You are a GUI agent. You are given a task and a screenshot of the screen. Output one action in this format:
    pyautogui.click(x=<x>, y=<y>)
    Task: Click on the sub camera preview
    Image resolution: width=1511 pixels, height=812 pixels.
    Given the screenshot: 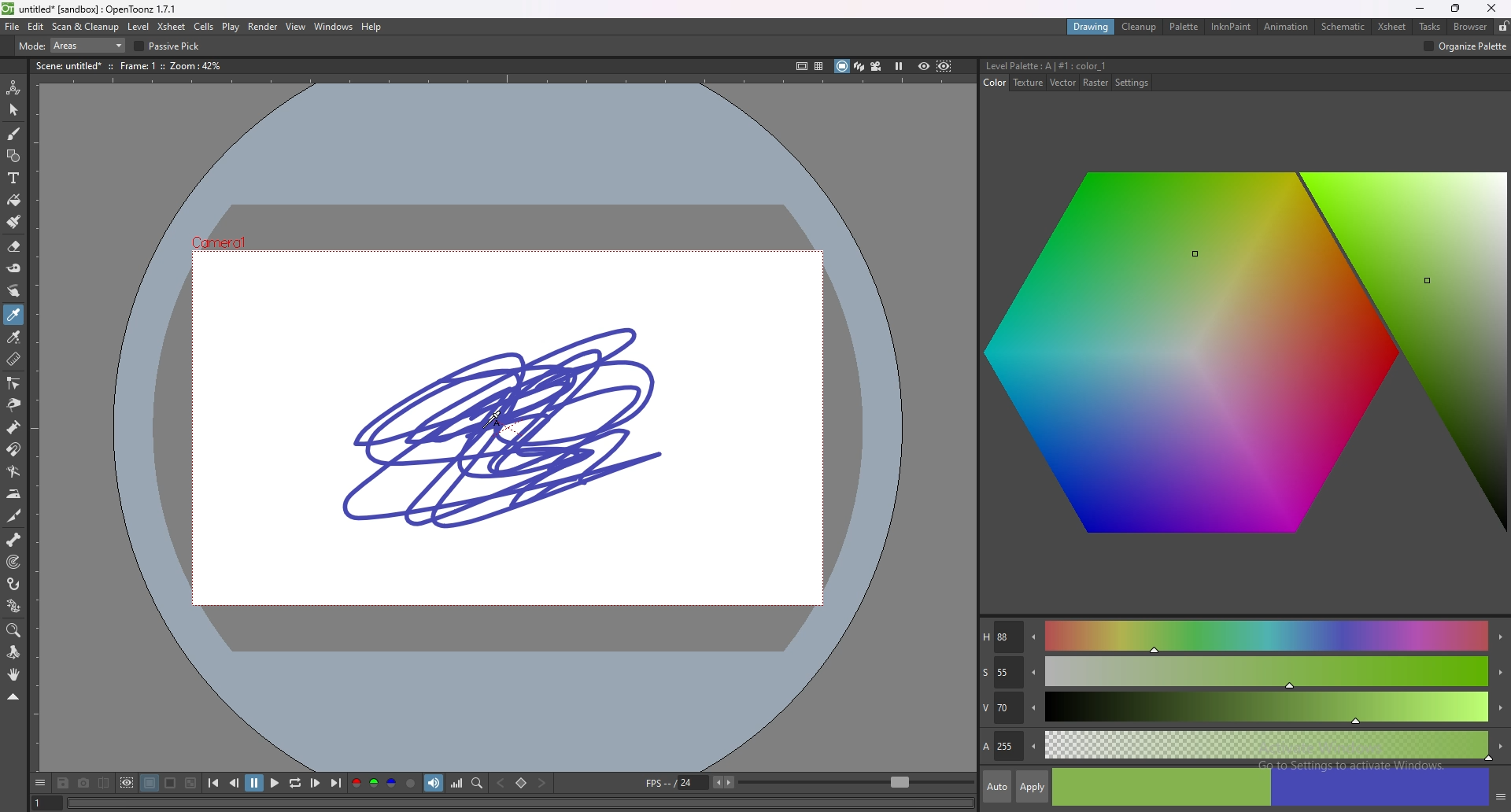 What is the action you would take?
    pyautogui.click(x=944, y=66)
    